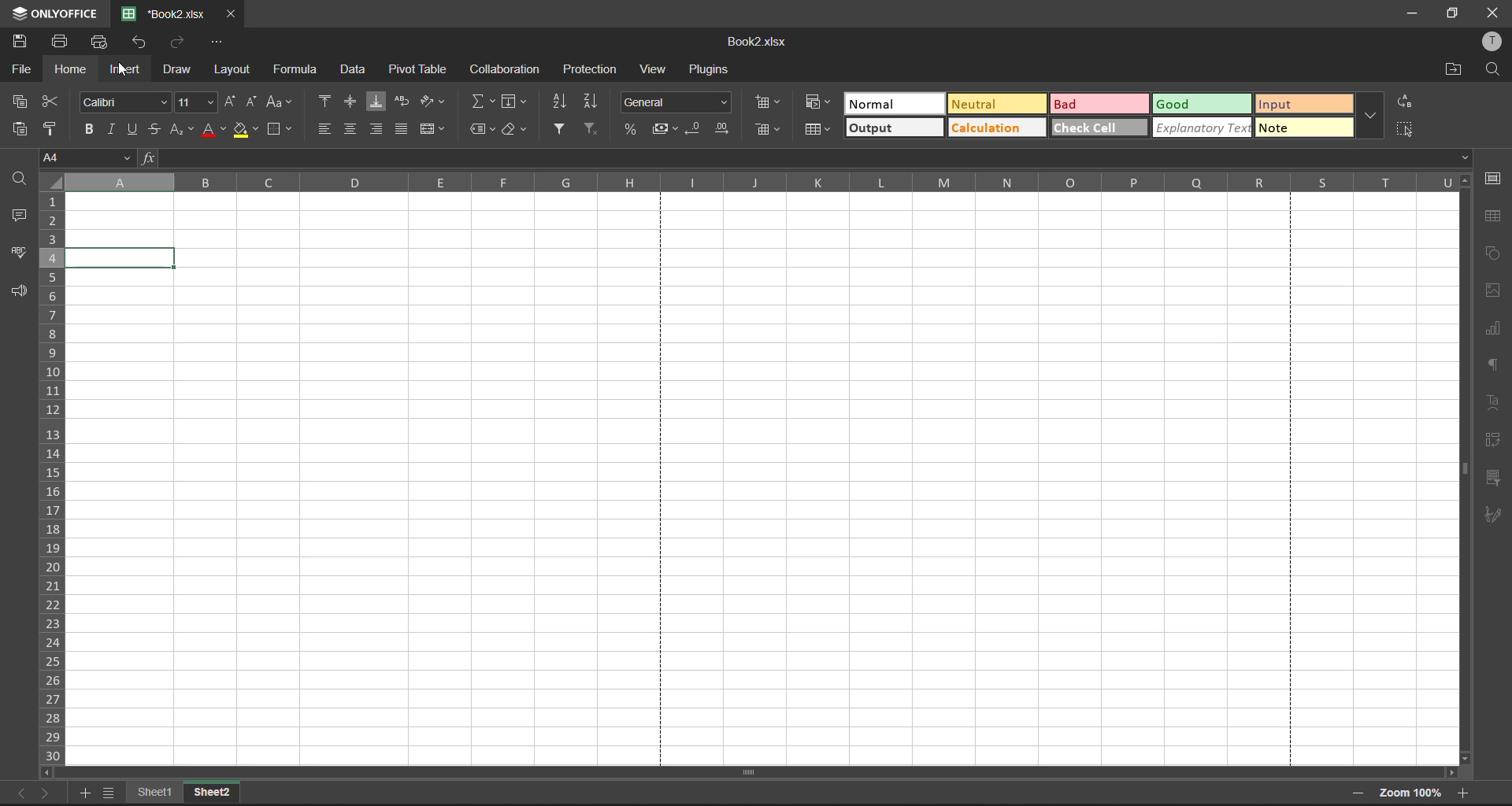  What do you see at coordinates (1449, 773) in the screenshot?
I see `scroll right` at bounding box center [1449, 773].